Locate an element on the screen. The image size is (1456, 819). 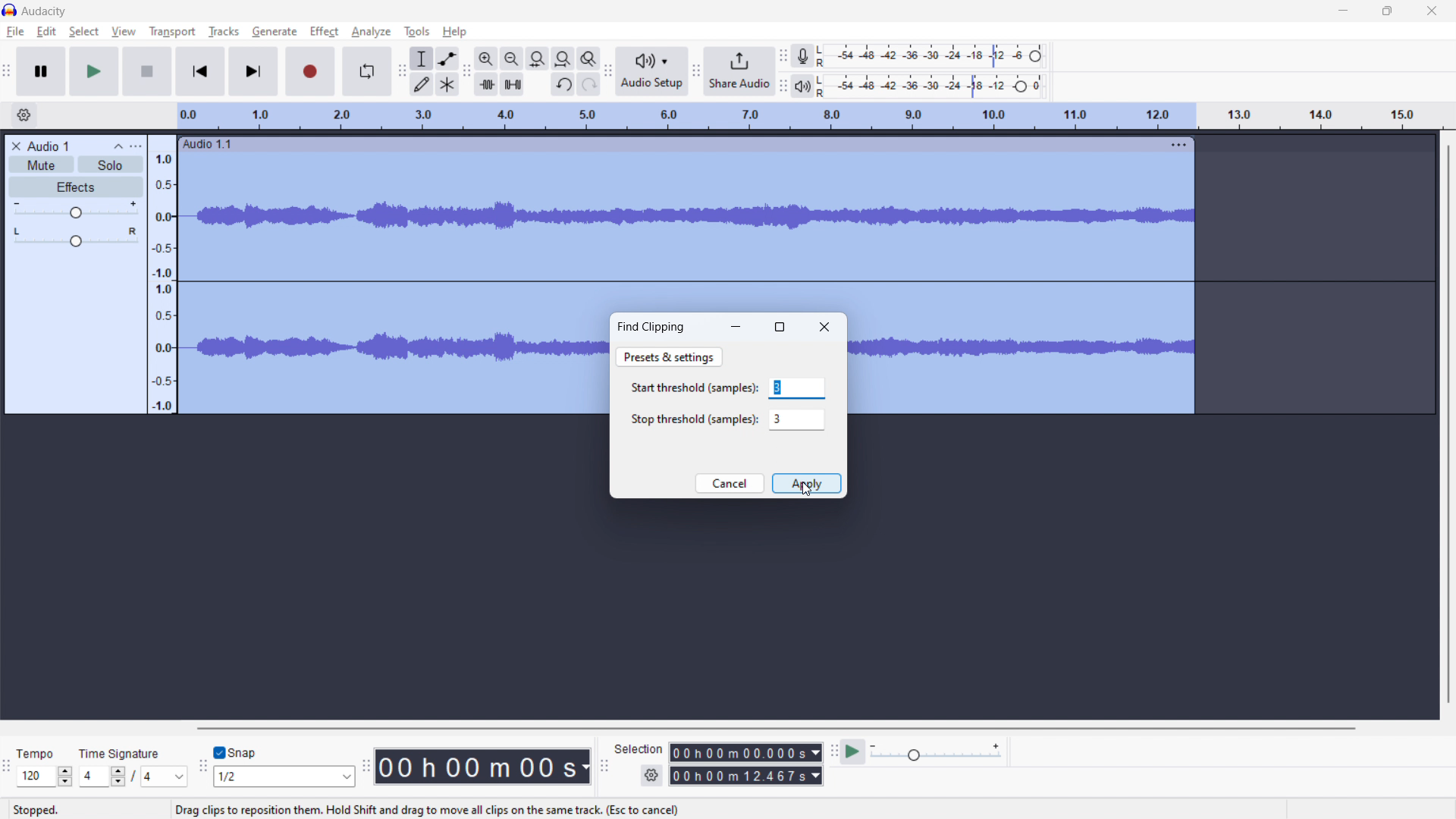
analyze is located at coordinates (371, 32).